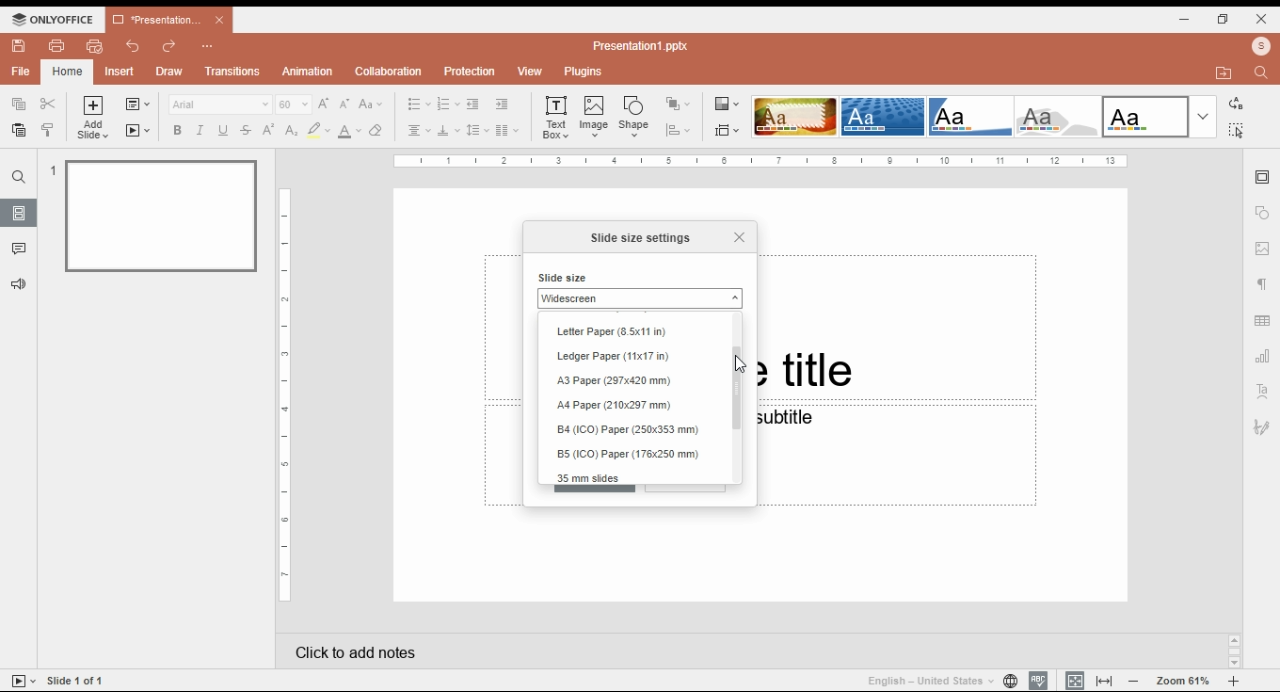  Describe the element at coordinates (1265, 428) in the screenshot. I see `` at that location.